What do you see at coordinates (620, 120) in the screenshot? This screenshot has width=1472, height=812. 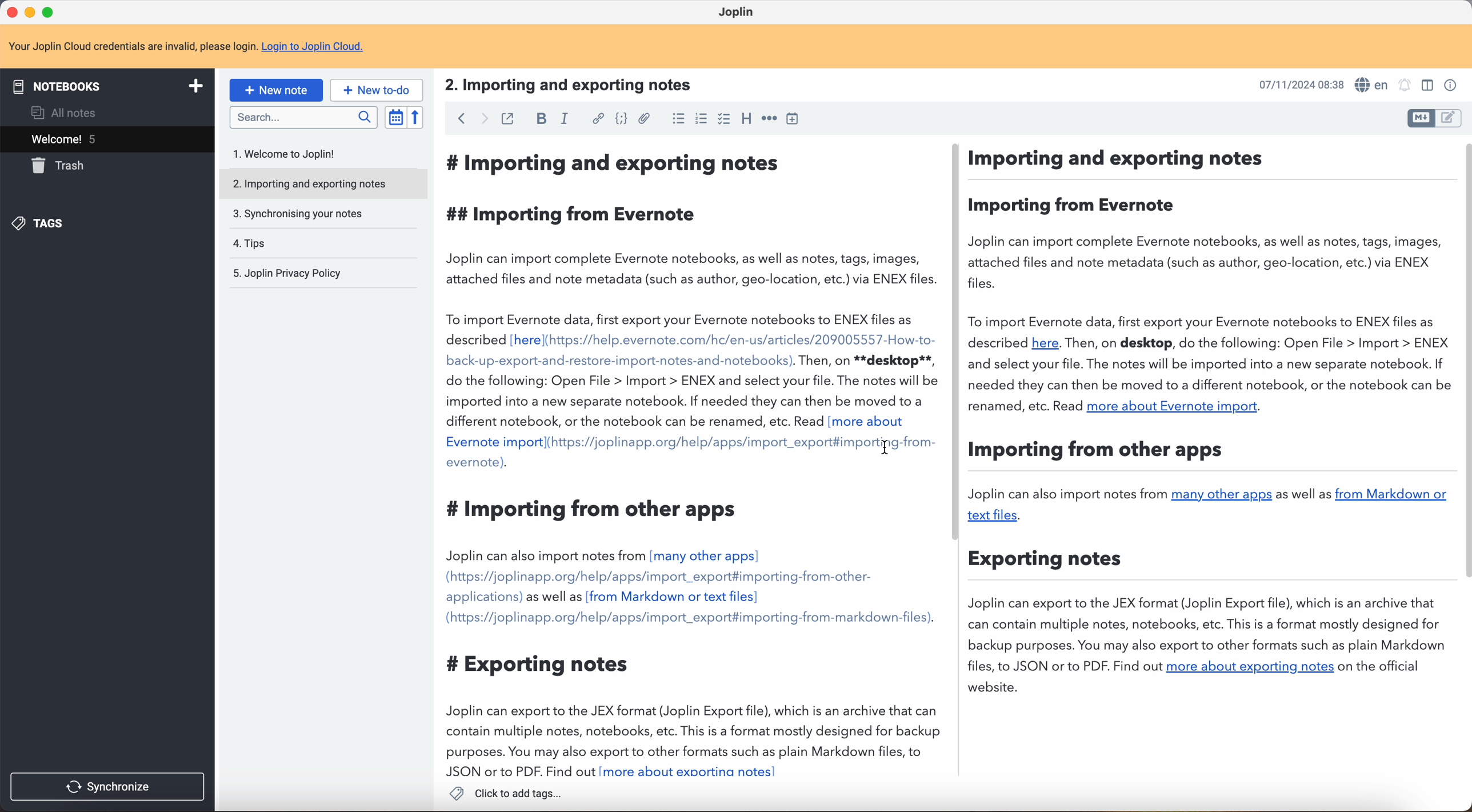 I see `code` at bounding box center [620, 120].